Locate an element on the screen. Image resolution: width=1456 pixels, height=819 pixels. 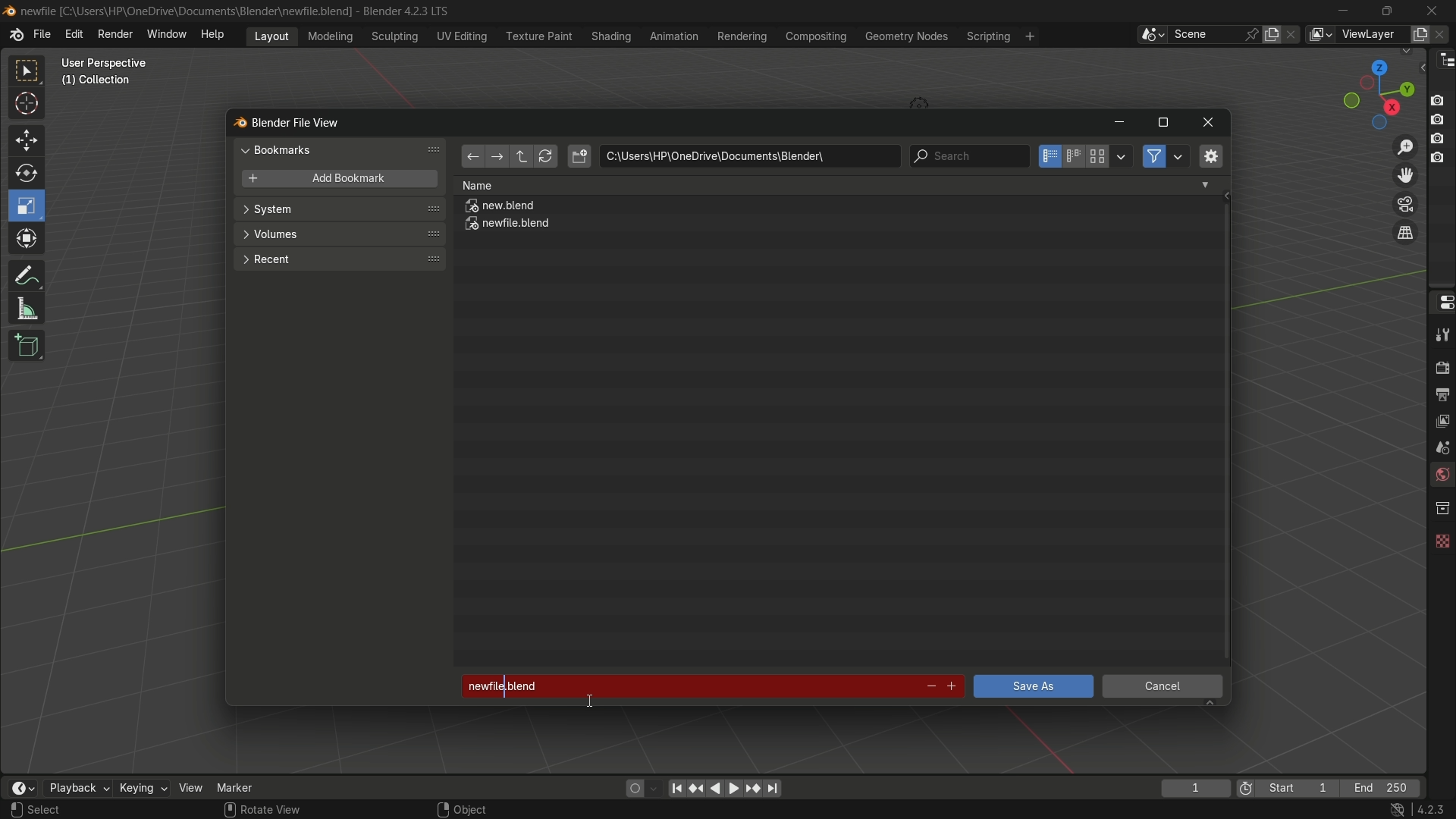
new.blend file is located at coordinates (501, 208).